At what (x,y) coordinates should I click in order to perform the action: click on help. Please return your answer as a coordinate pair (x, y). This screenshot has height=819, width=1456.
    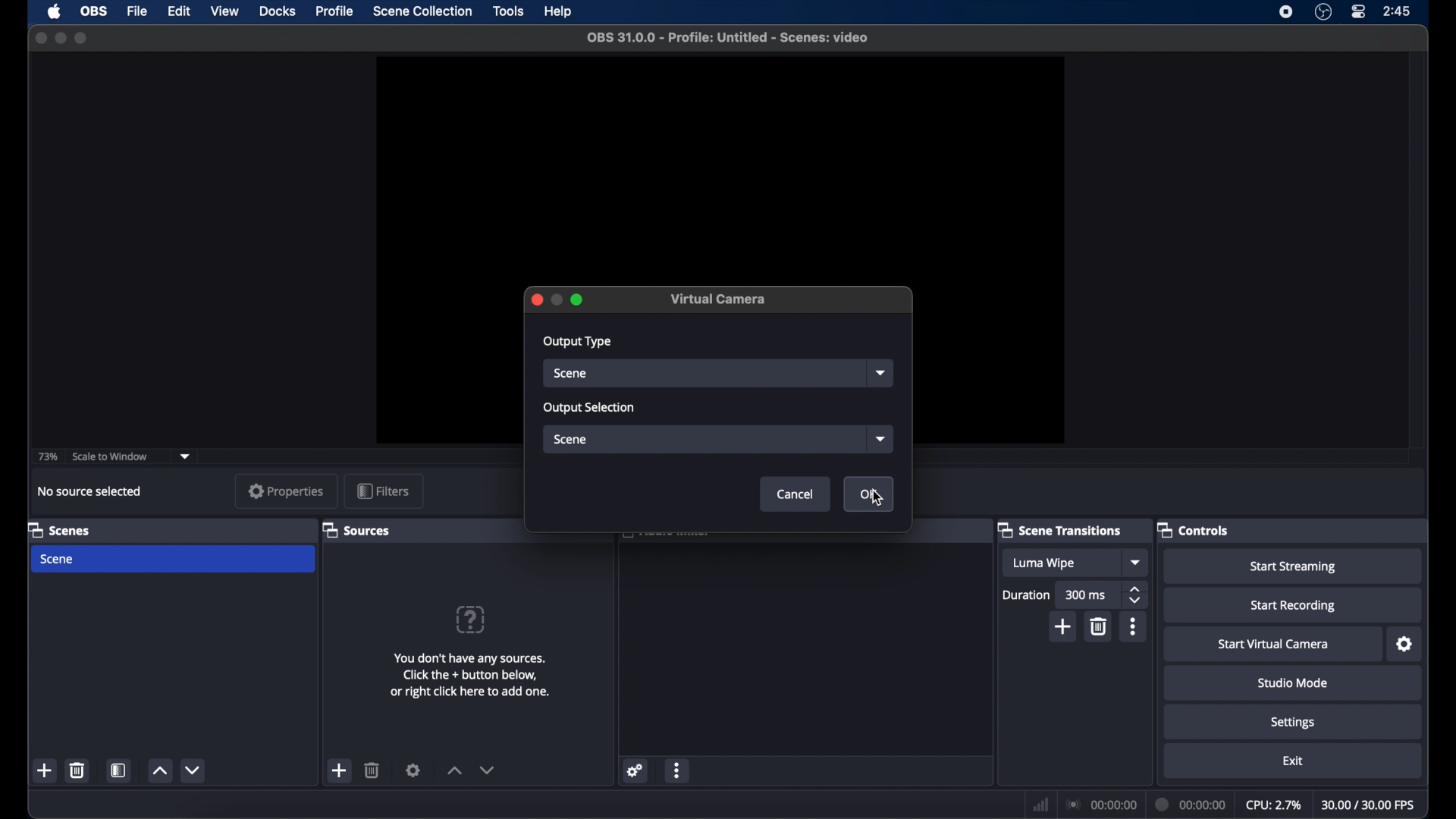
    Looking at the image, I should click on (559, 11).